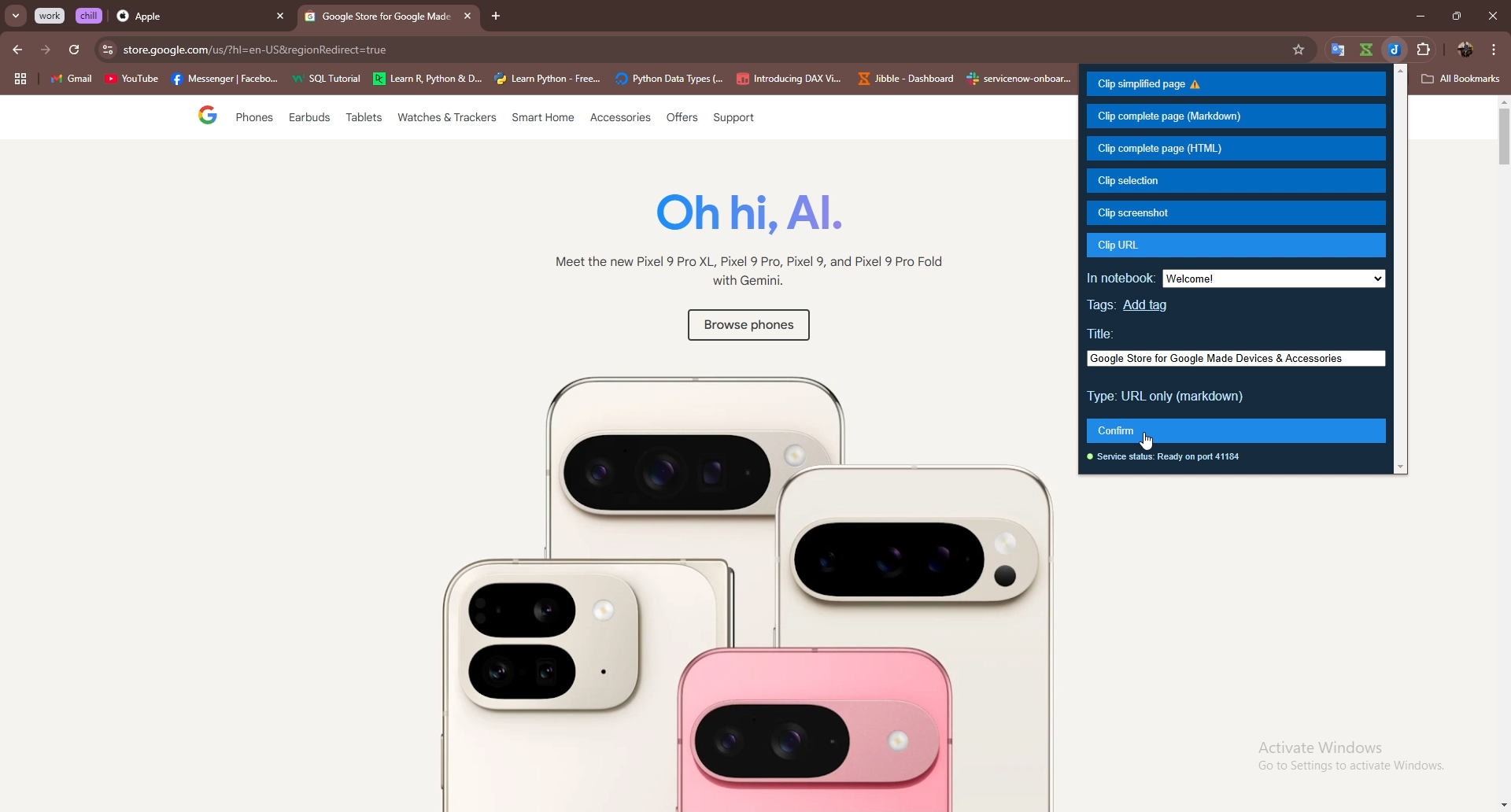  I want to click on Introducing DAX Vi.., so click(789, 79).